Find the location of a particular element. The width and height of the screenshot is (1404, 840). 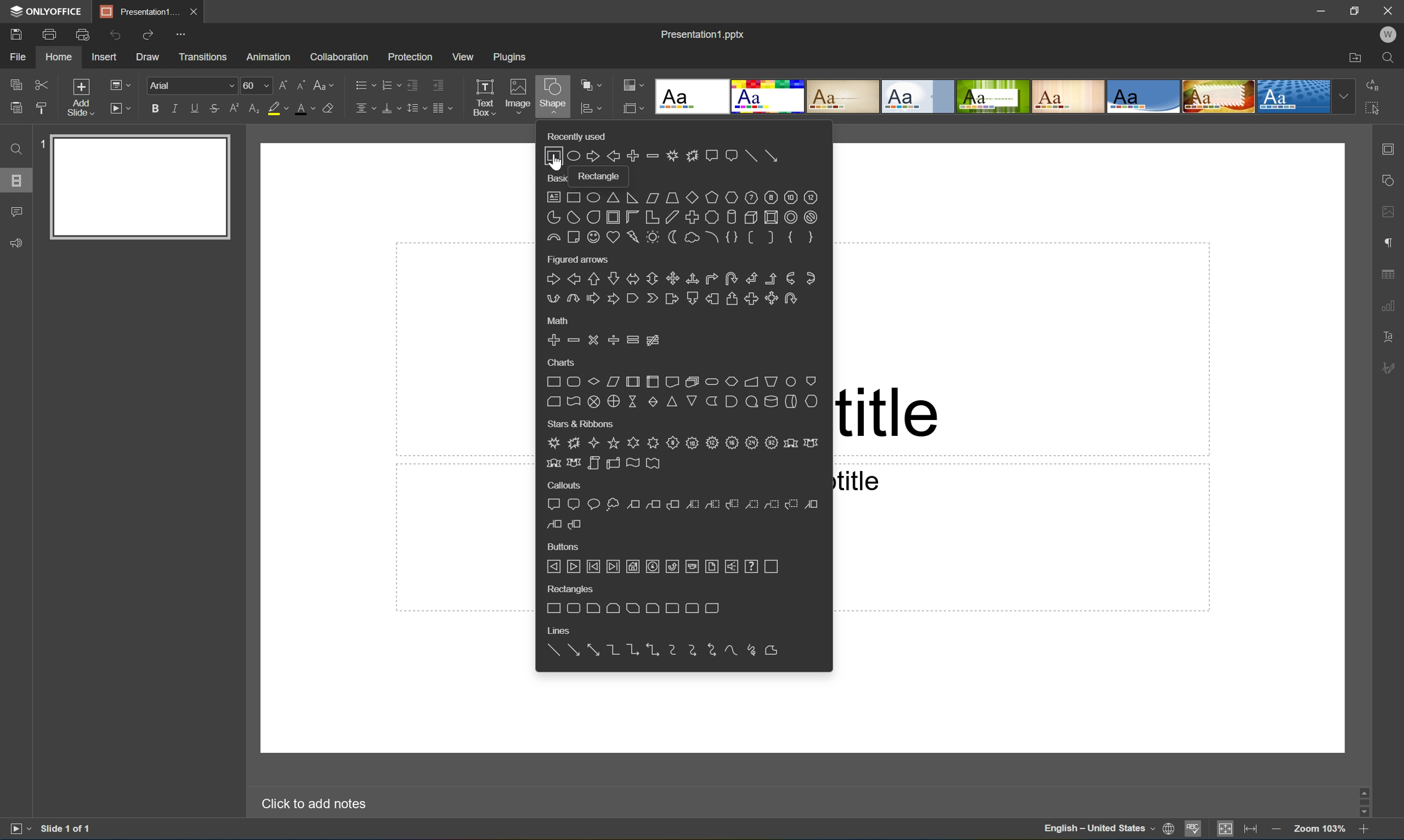

Horizontally align is located at coordinates (363, 108).